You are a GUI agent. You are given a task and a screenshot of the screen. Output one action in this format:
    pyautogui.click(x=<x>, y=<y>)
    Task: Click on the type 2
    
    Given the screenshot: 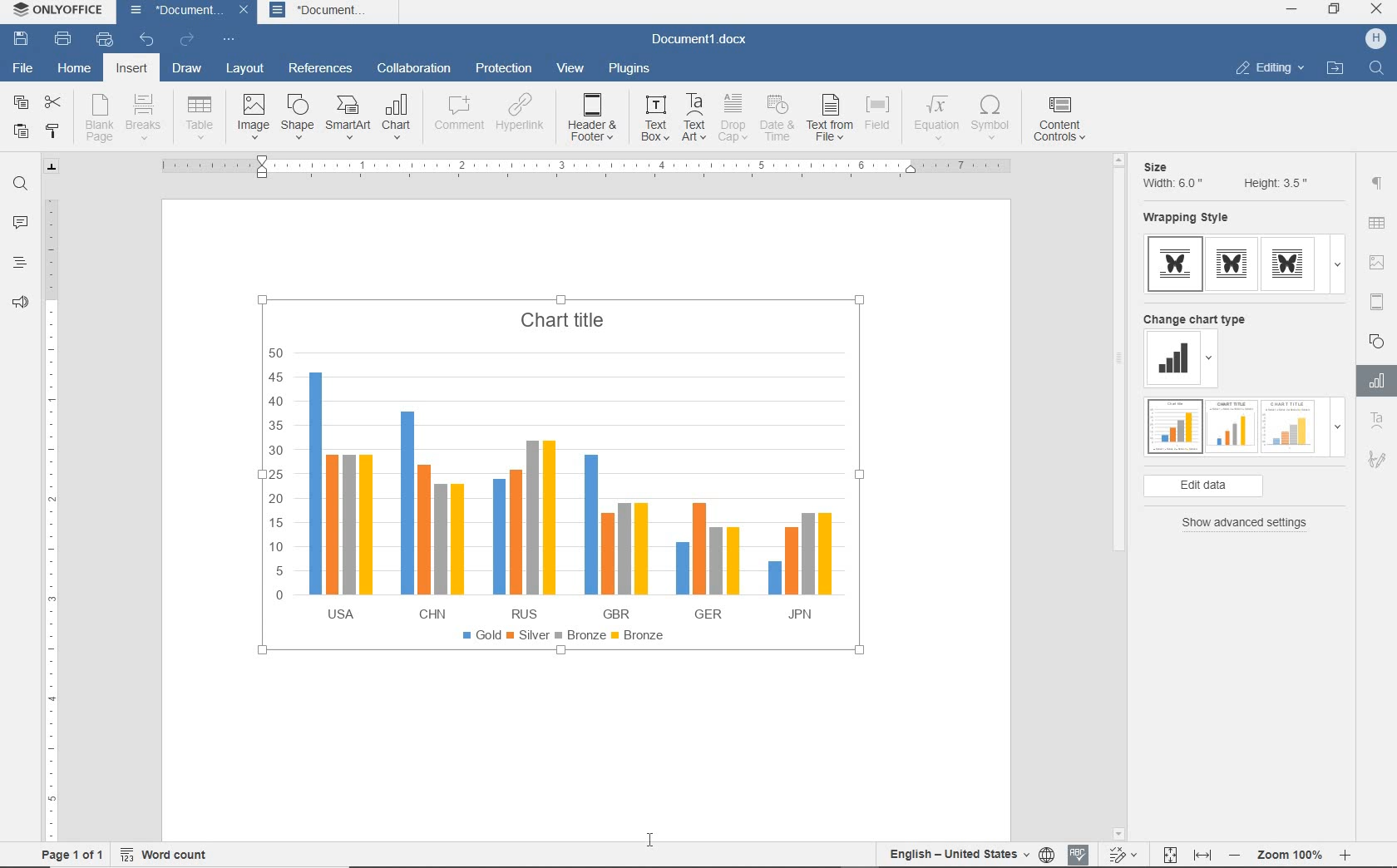 What is the action you would take?
    pyautogui.click(x=1232, y=264)
    